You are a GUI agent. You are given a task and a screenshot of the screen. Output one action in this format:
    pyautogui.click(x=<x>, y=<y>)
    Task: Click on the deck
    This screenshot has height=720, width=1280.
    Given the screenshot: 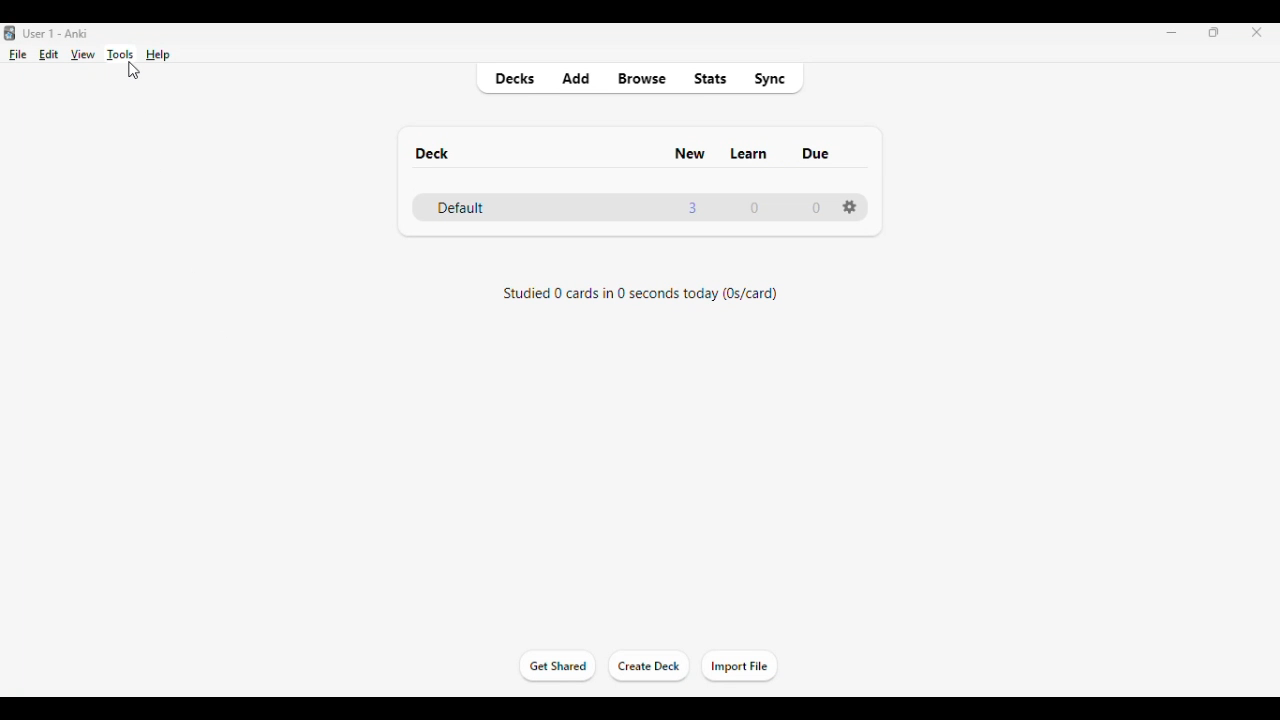 What is the action you would take?
    pyautogui.click(x=430, y=153)
    